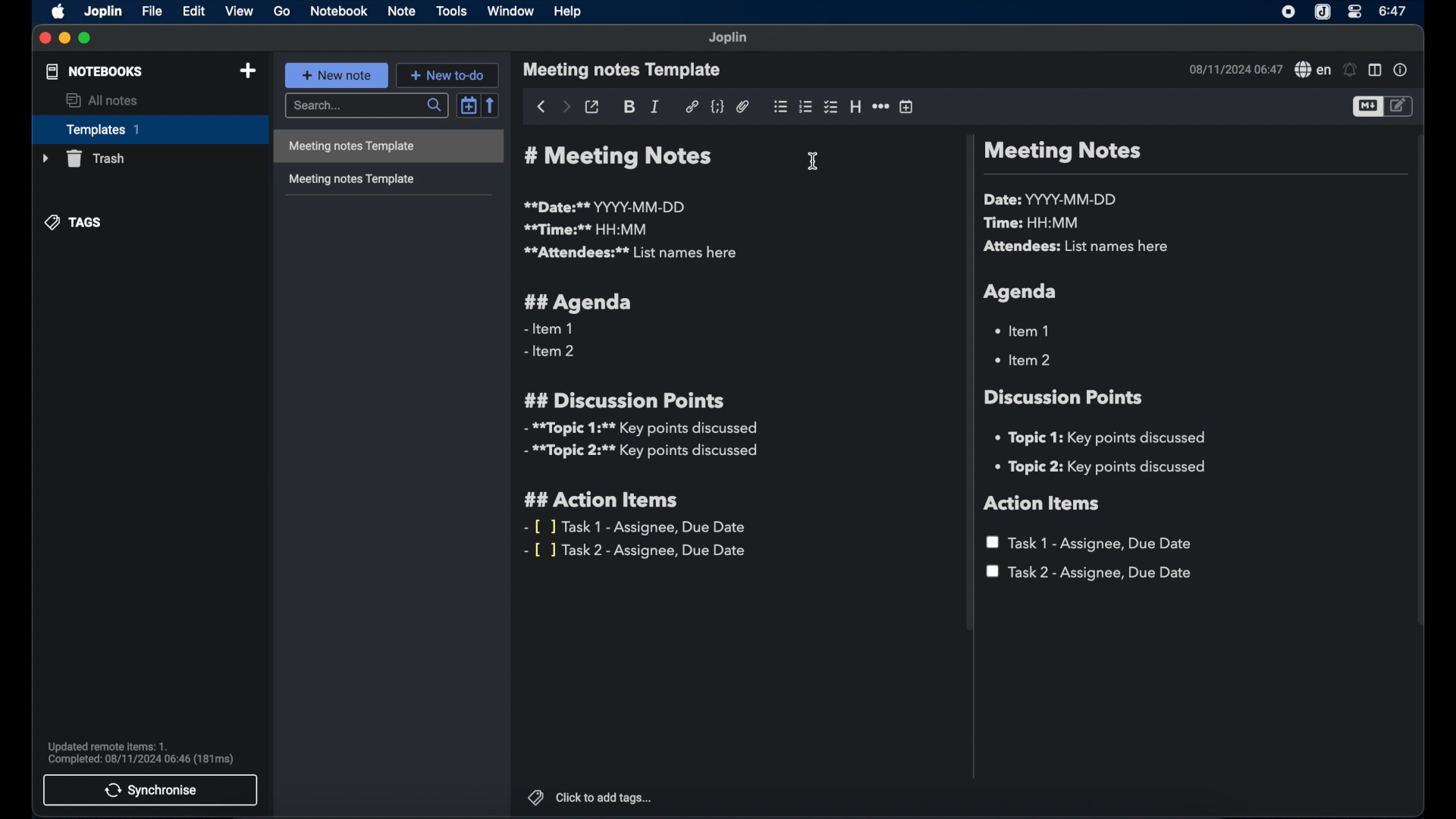  I want to click on minimize, so click(64, 38).